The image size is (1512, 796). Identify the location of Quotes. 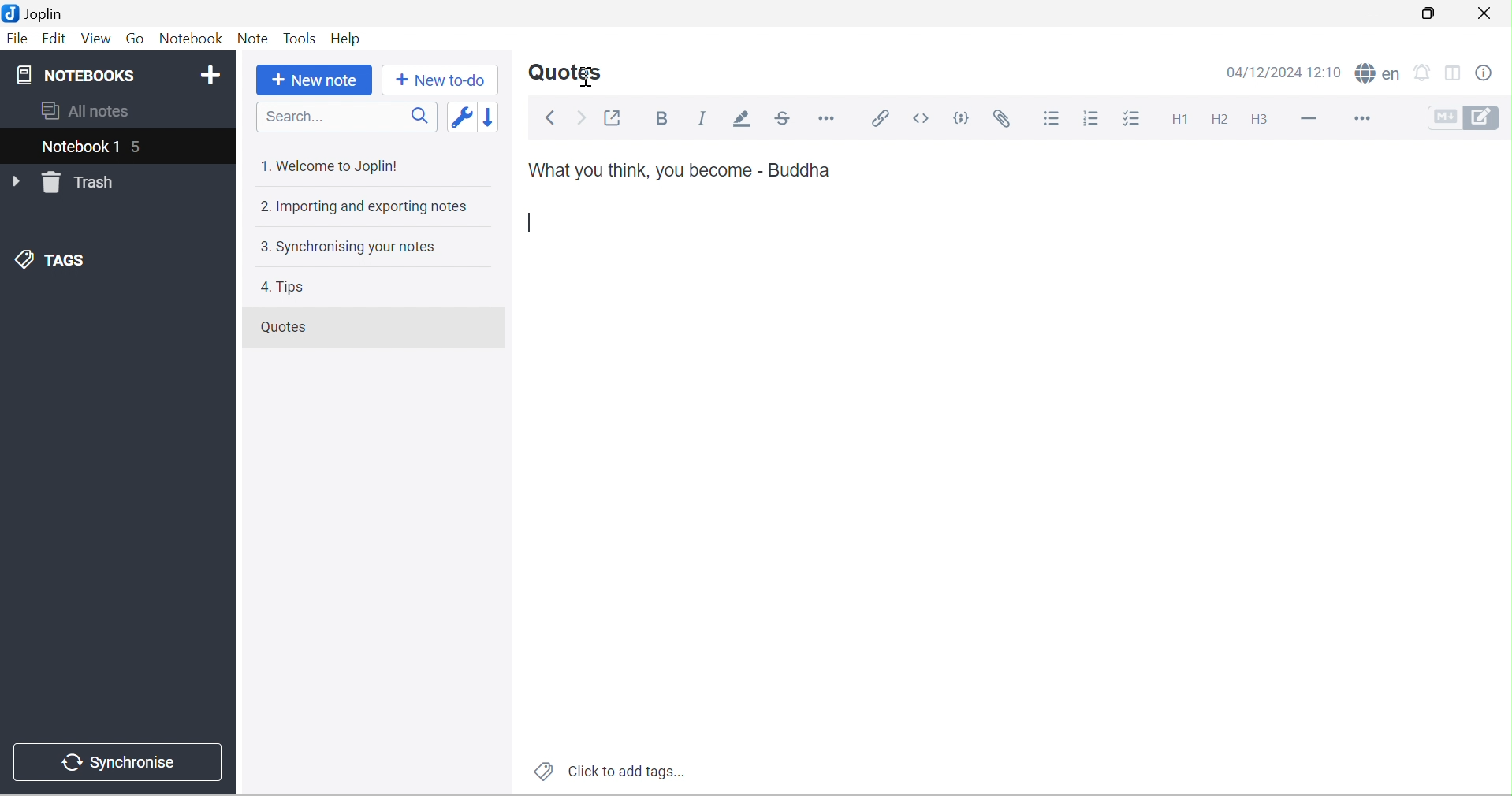
(283, 326).